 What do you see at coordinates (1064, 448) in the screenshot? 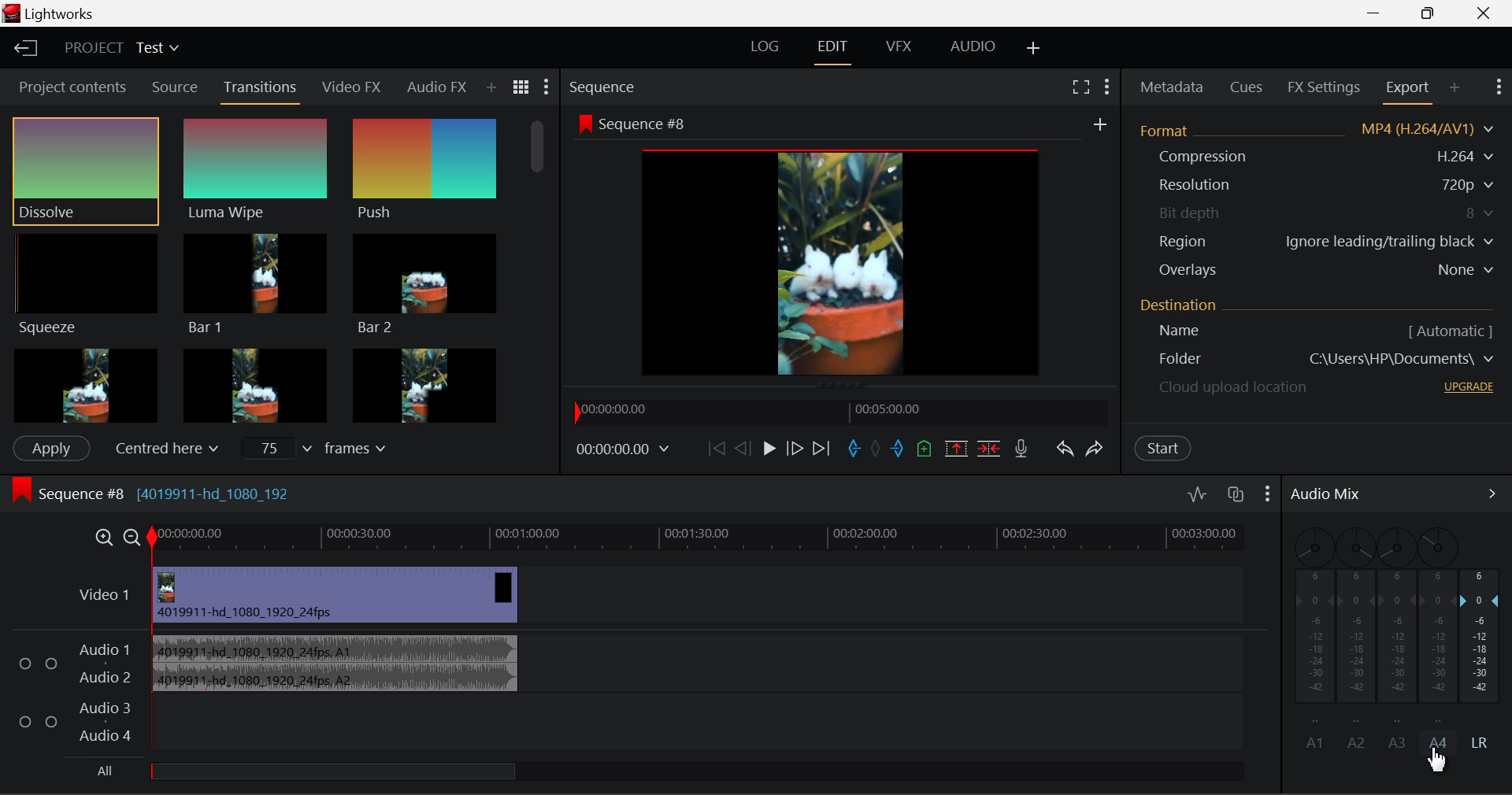
I see `Undo` at bounding box center [1064, 448].